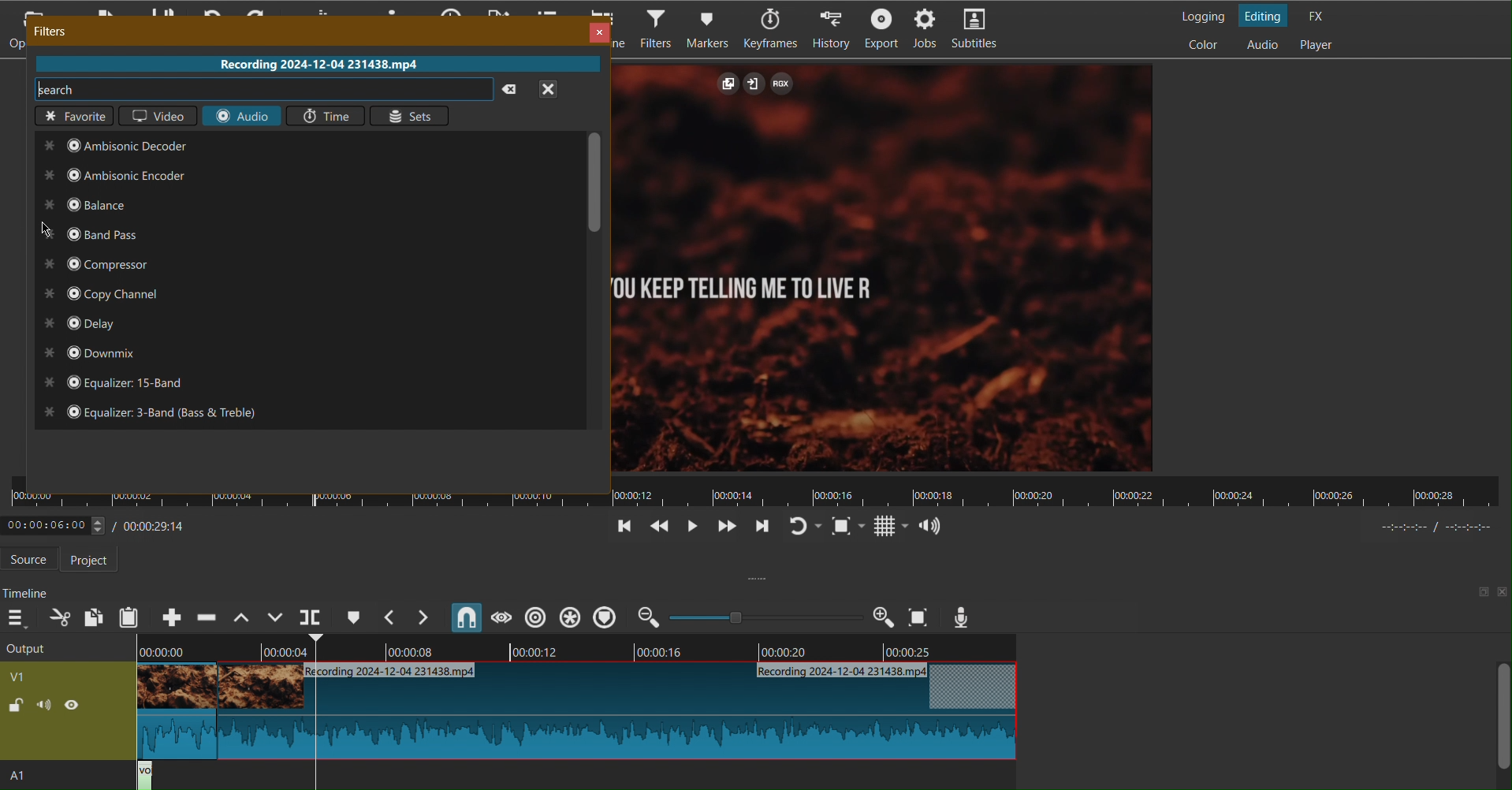 This screenshot has width=1512, height=790. Describe the element at coordinates (963, 617) in the screenshot. I see `Voiceover` at that location.